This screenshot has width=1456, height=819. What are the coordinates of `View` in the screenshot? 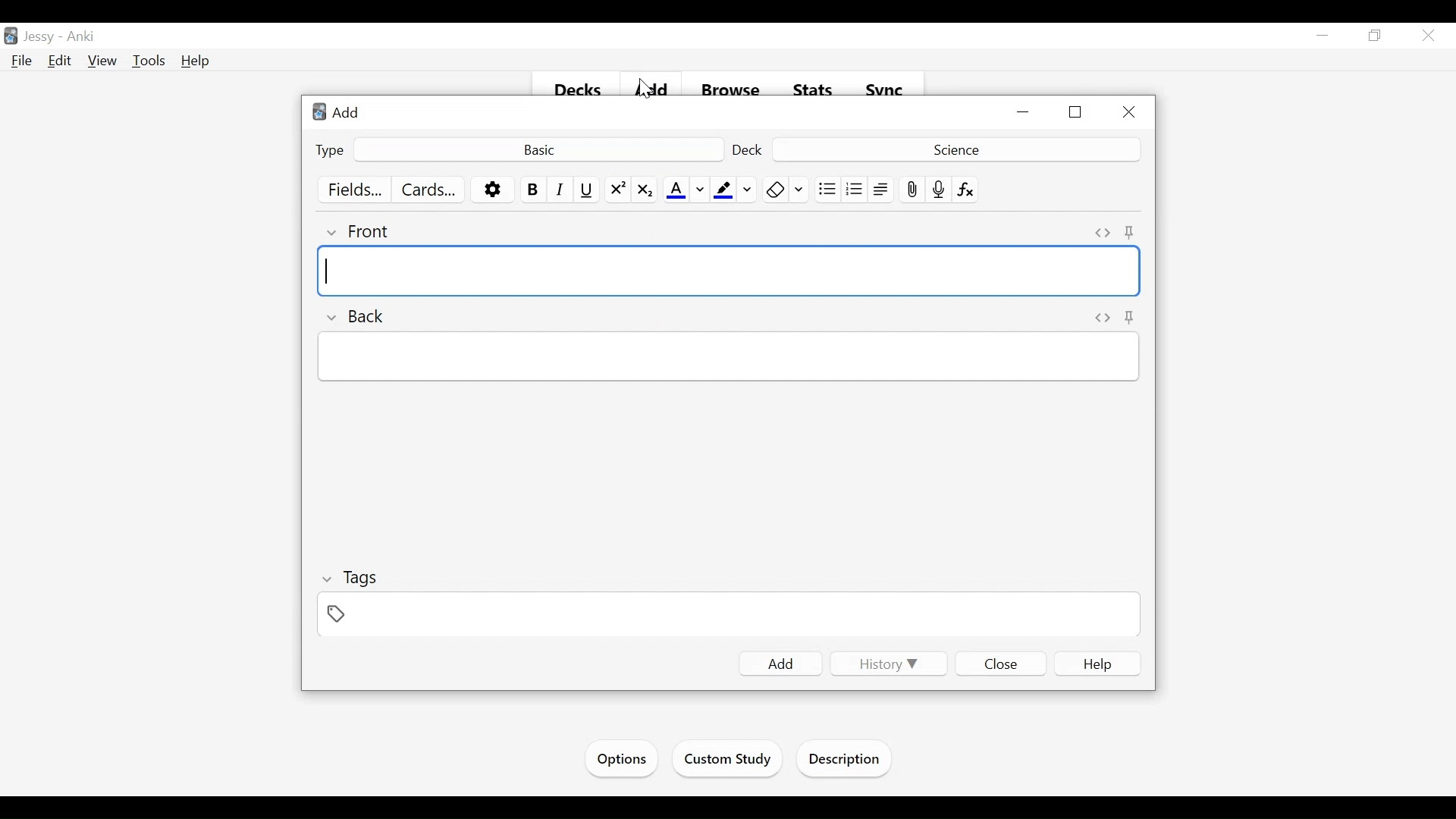 It's located at (103, 61).